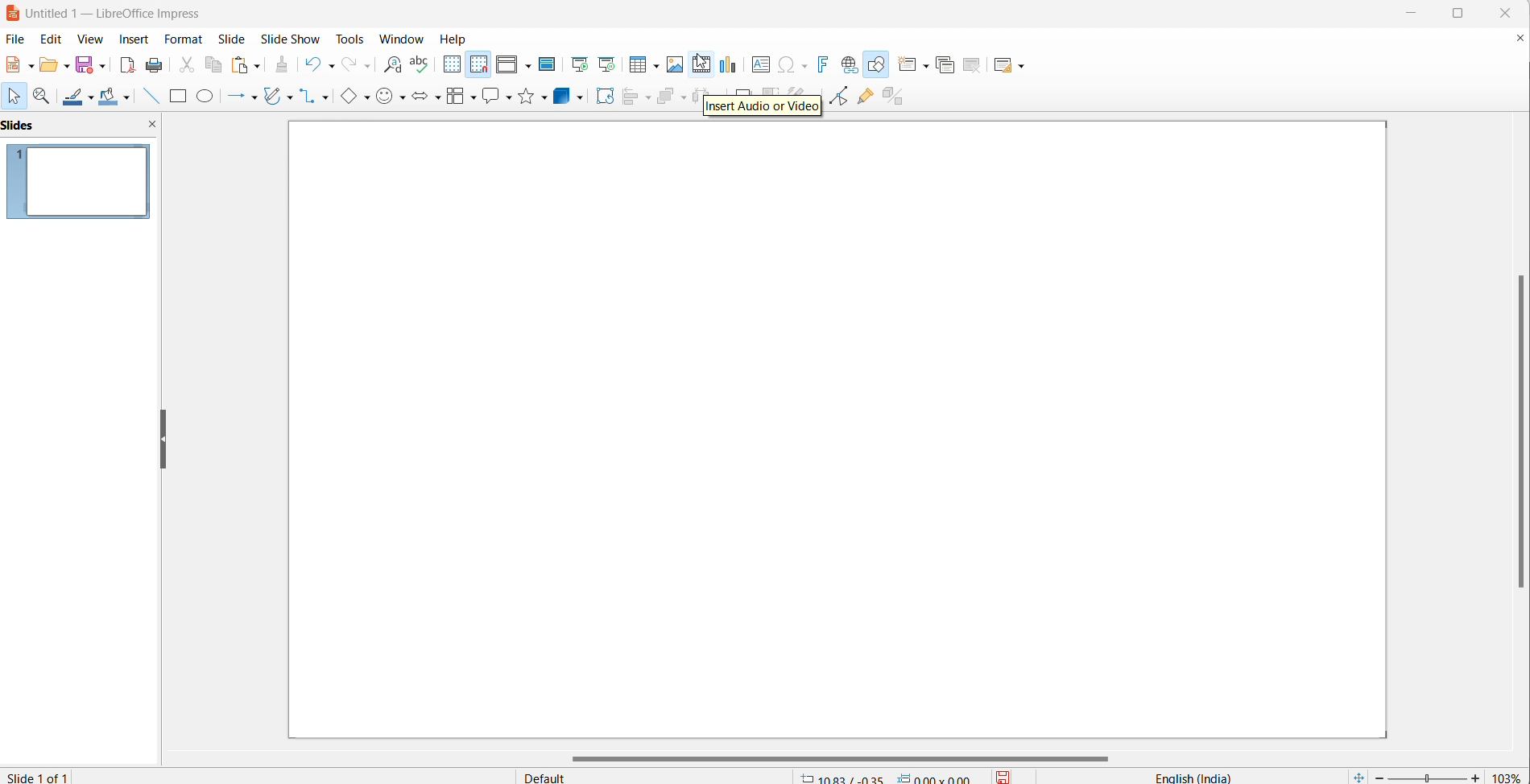  Describe the element at coordinates (126, 101) in the screenshot. I see `fill color options` at that location.